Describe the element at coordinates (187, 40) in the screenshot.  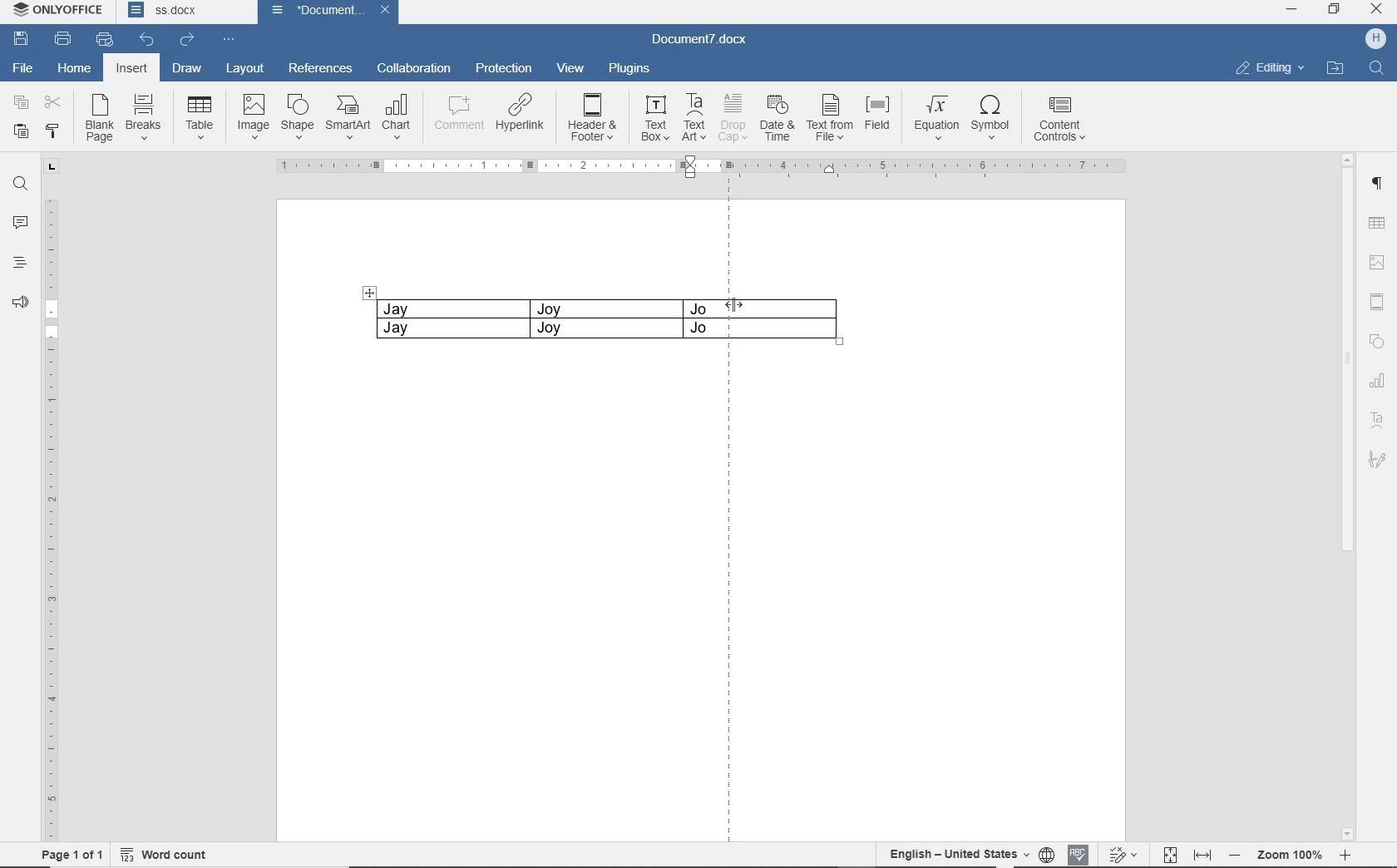
I see `REDO` at that location.